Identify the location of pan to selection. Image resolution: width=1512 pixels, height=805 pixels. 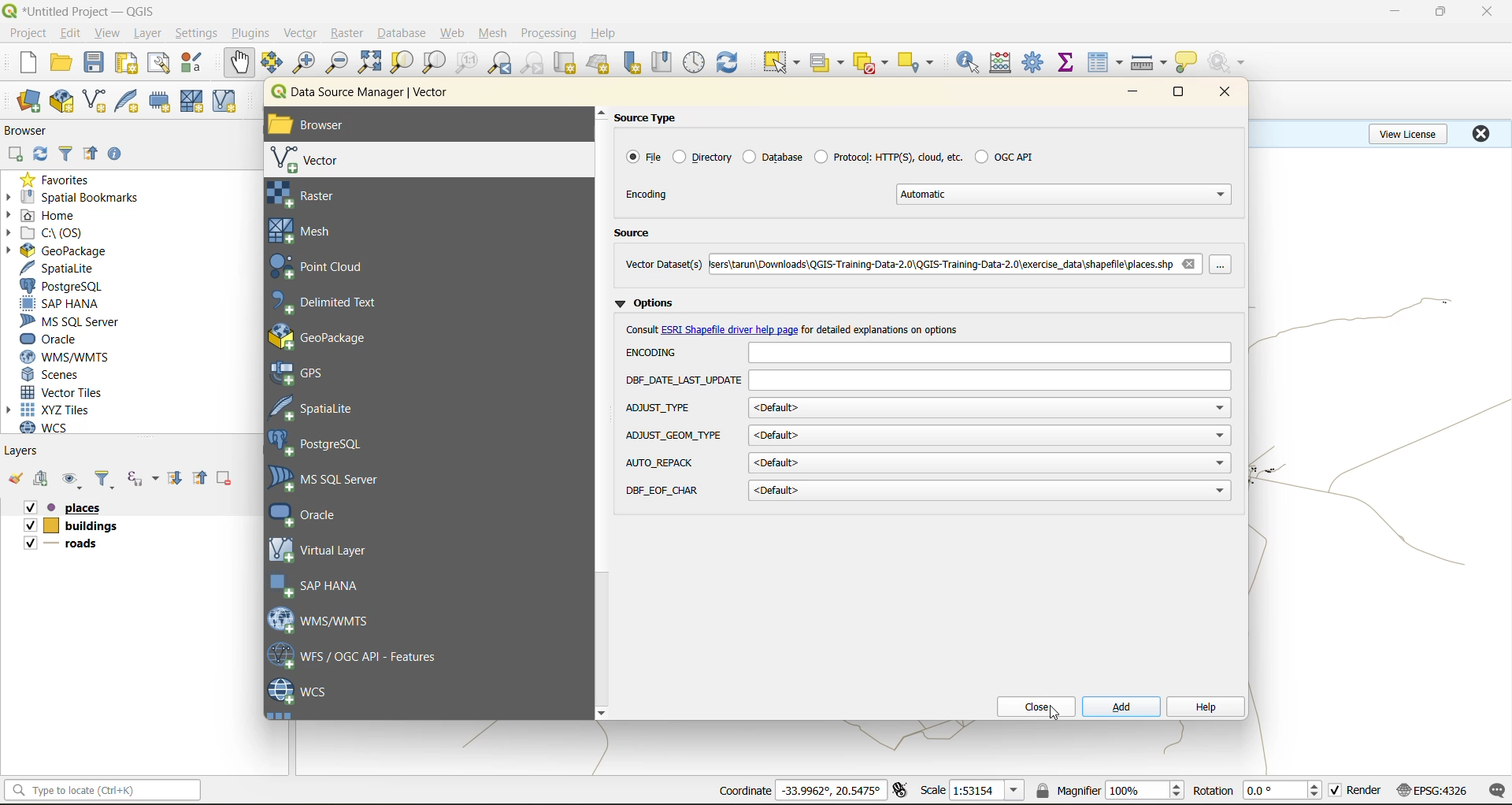
(272, 64).